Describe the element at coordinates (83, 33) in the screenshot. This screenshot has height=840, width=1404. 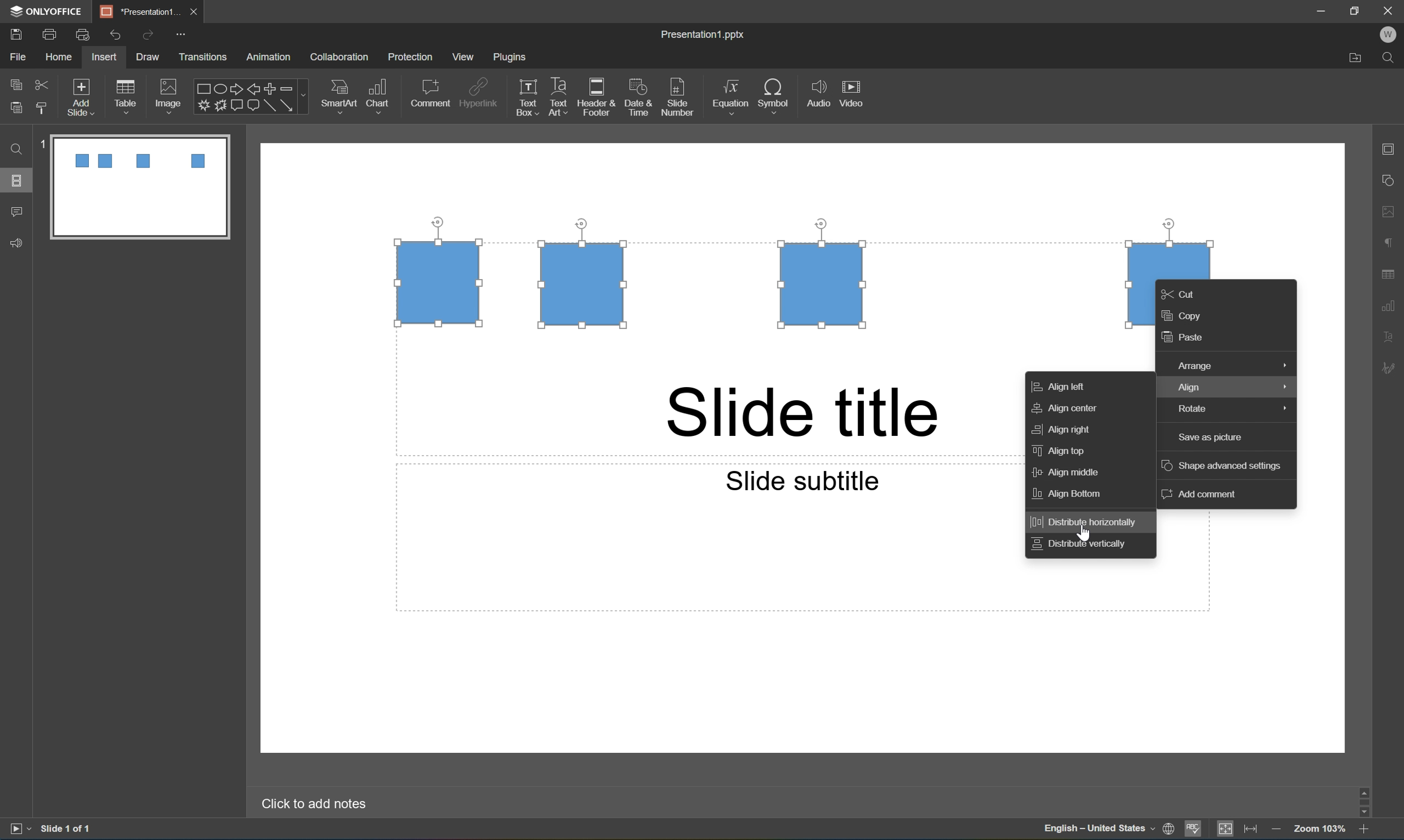
I see `quick print` at that location.